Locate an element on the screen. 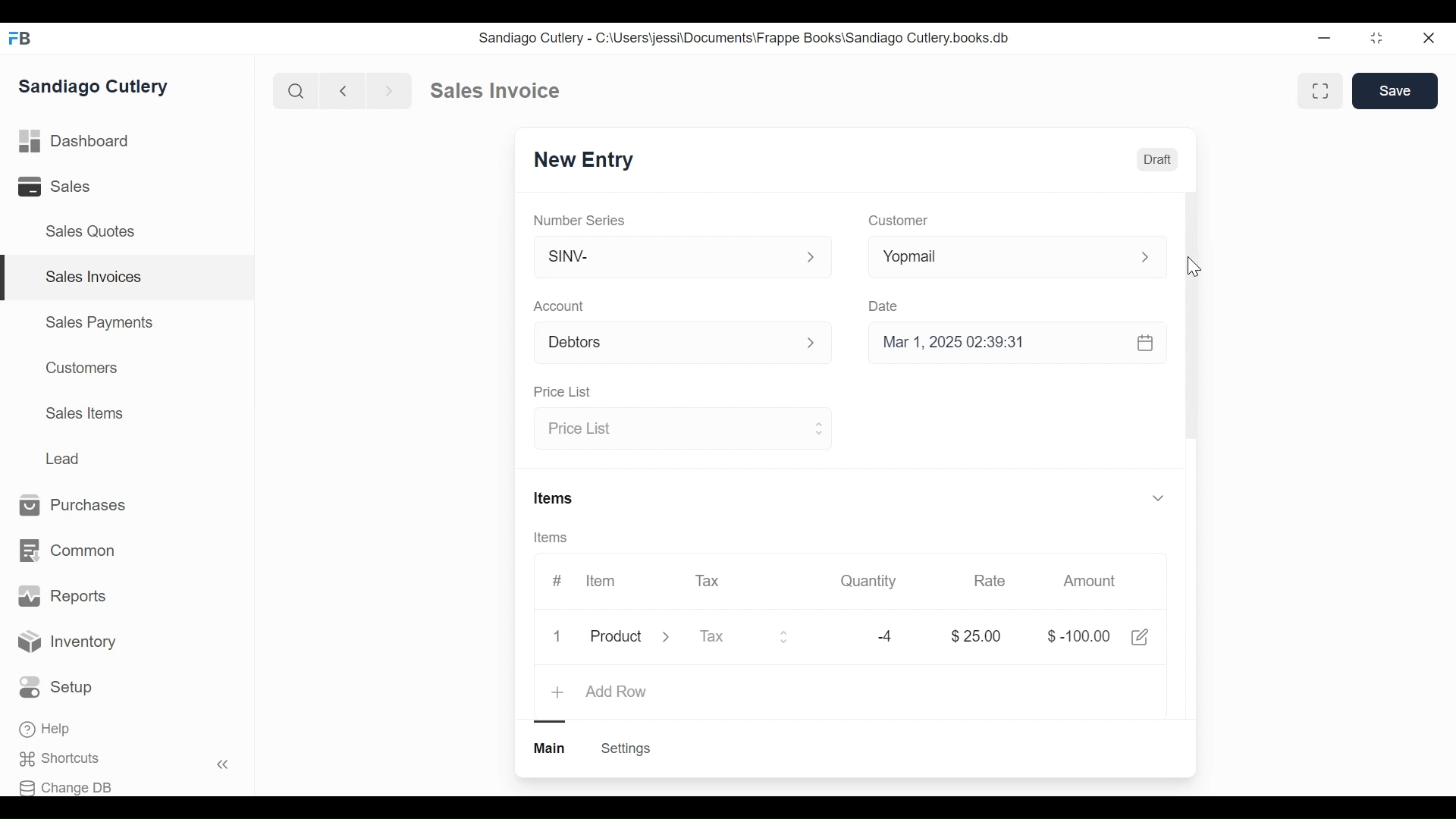 The width and height of the screenshot is (1456, 819). Tax is located at coordinates (745, 637).